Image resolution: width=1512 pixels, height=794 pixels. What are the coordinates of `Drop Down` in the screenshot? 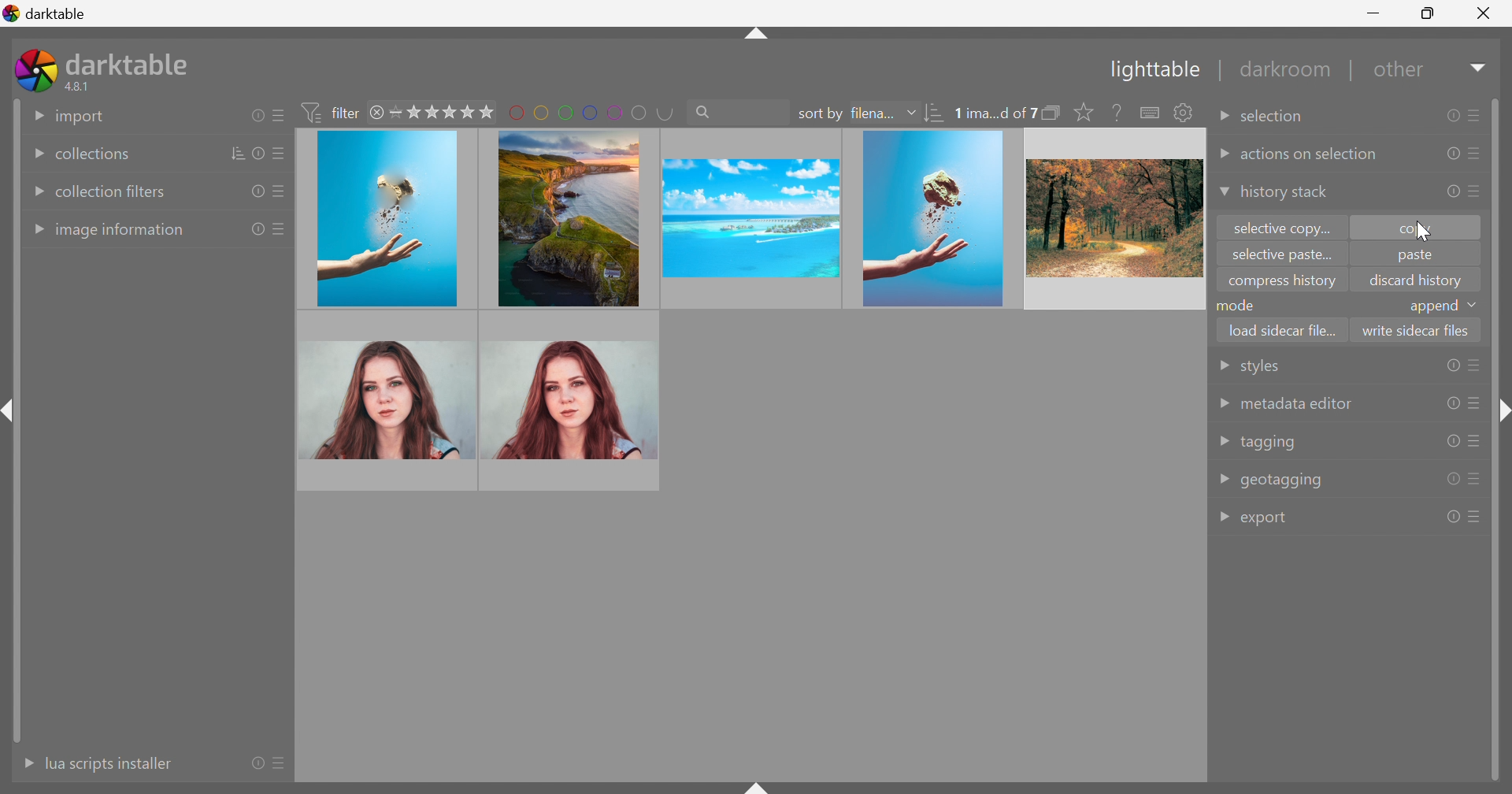 It's located at (35, 114).